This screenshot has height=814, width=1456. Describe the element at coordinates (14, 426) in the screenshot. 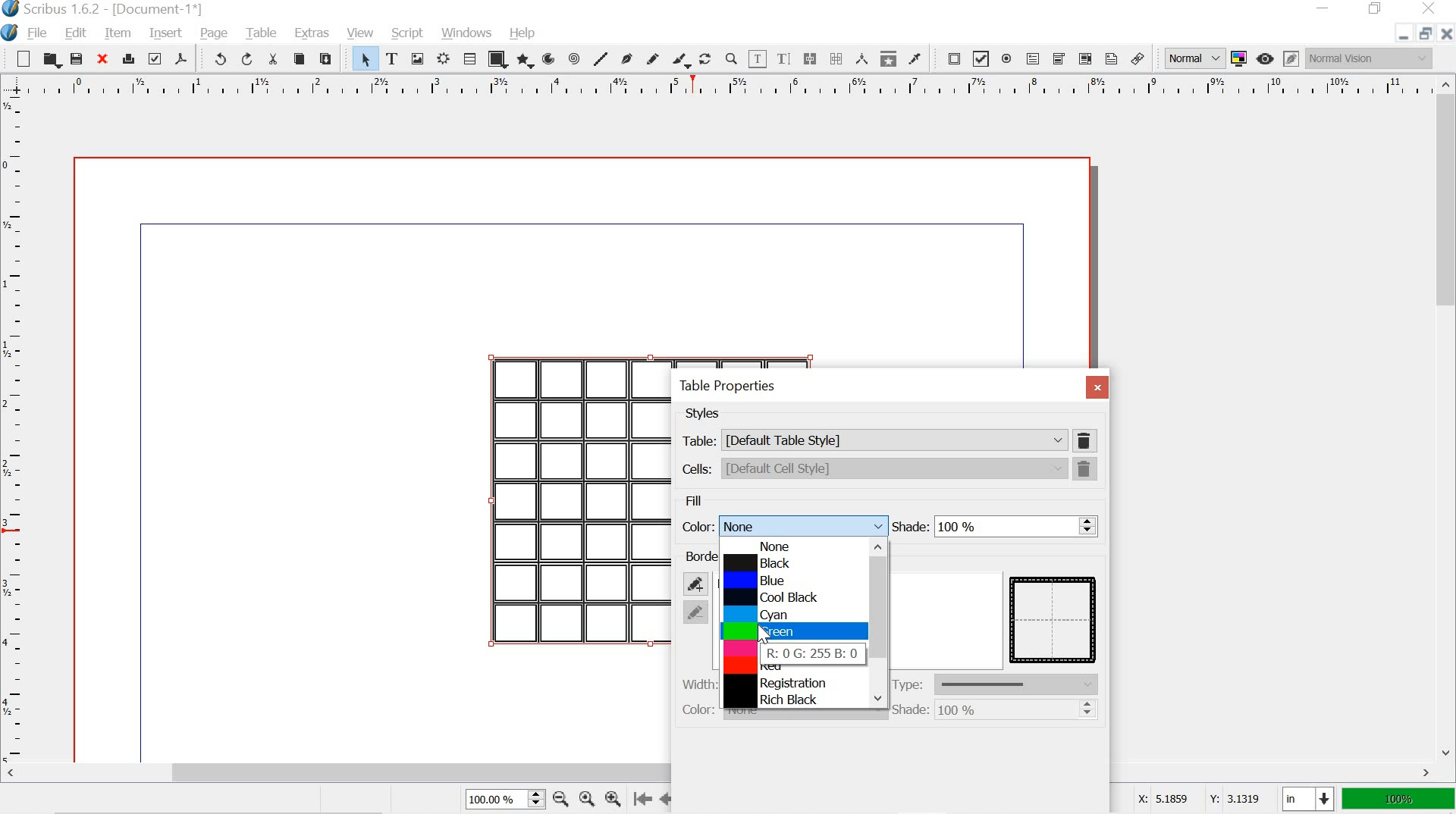

I see `ruler` at that location.